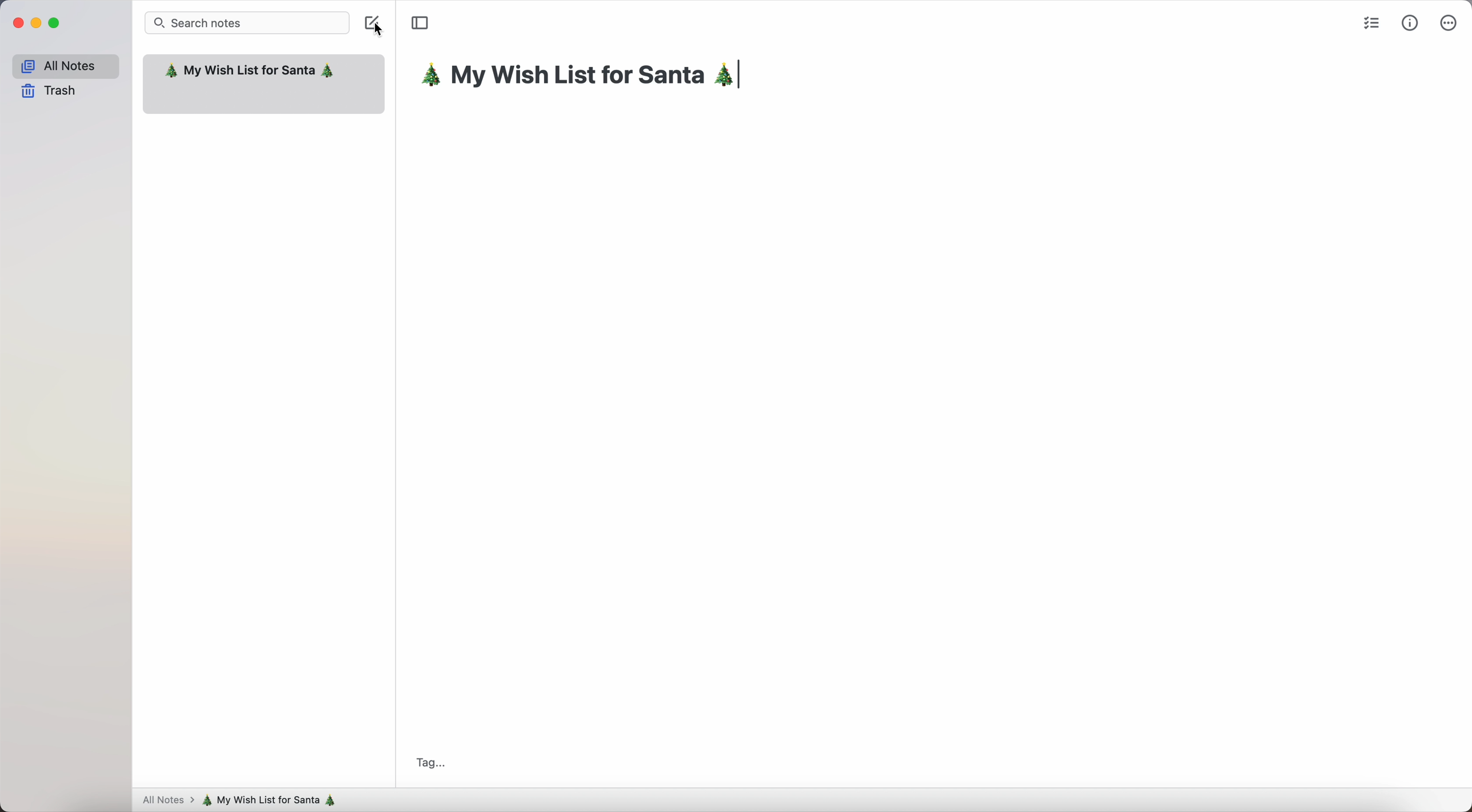 The image size is (1472, 812). I want to click on create note, so click(374, 25).